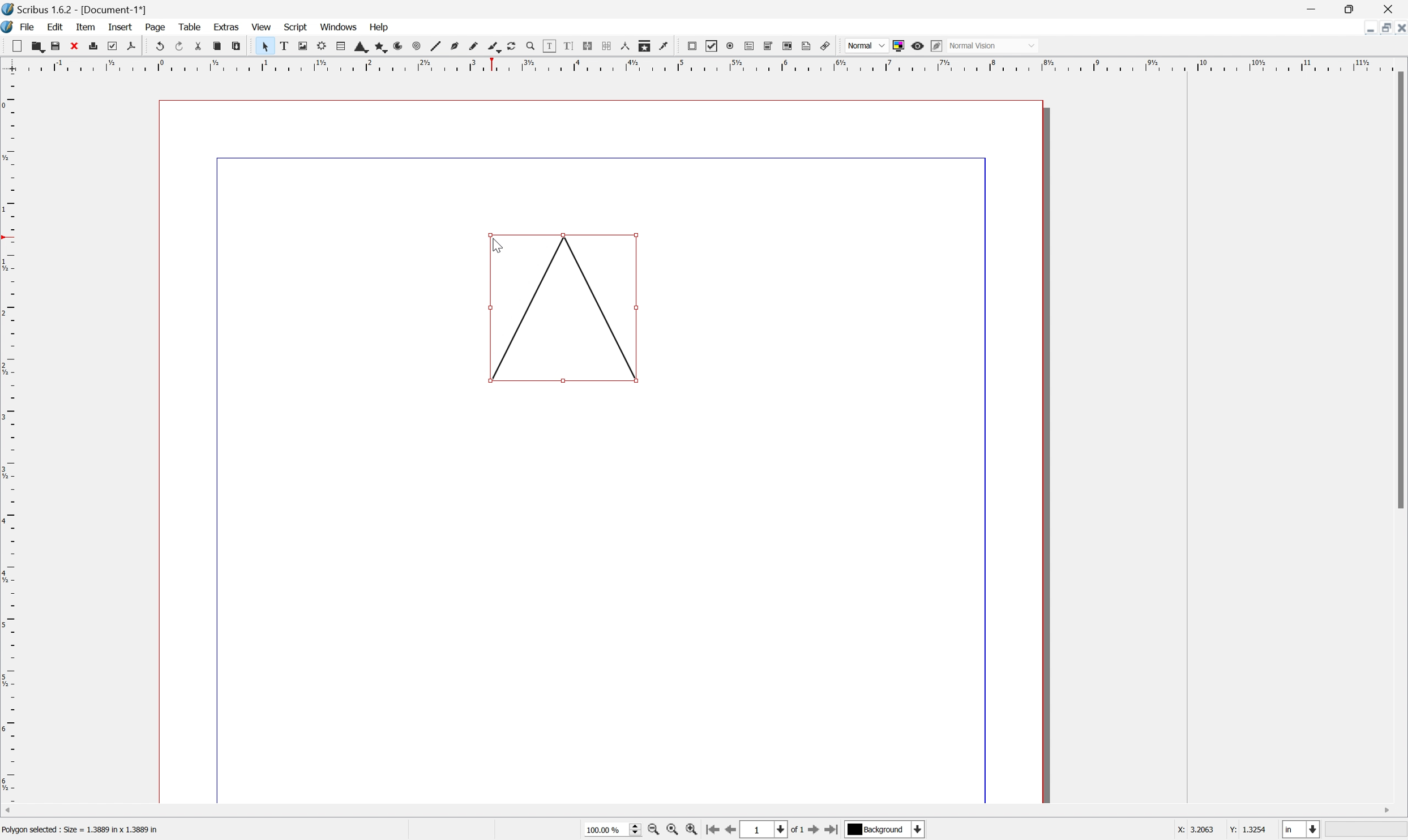 The height and width of the screenshot is (840, 1408). What do you see at coordinates (757, 830) in the screenshot?
I see `1` at bounding box center [757, 830].